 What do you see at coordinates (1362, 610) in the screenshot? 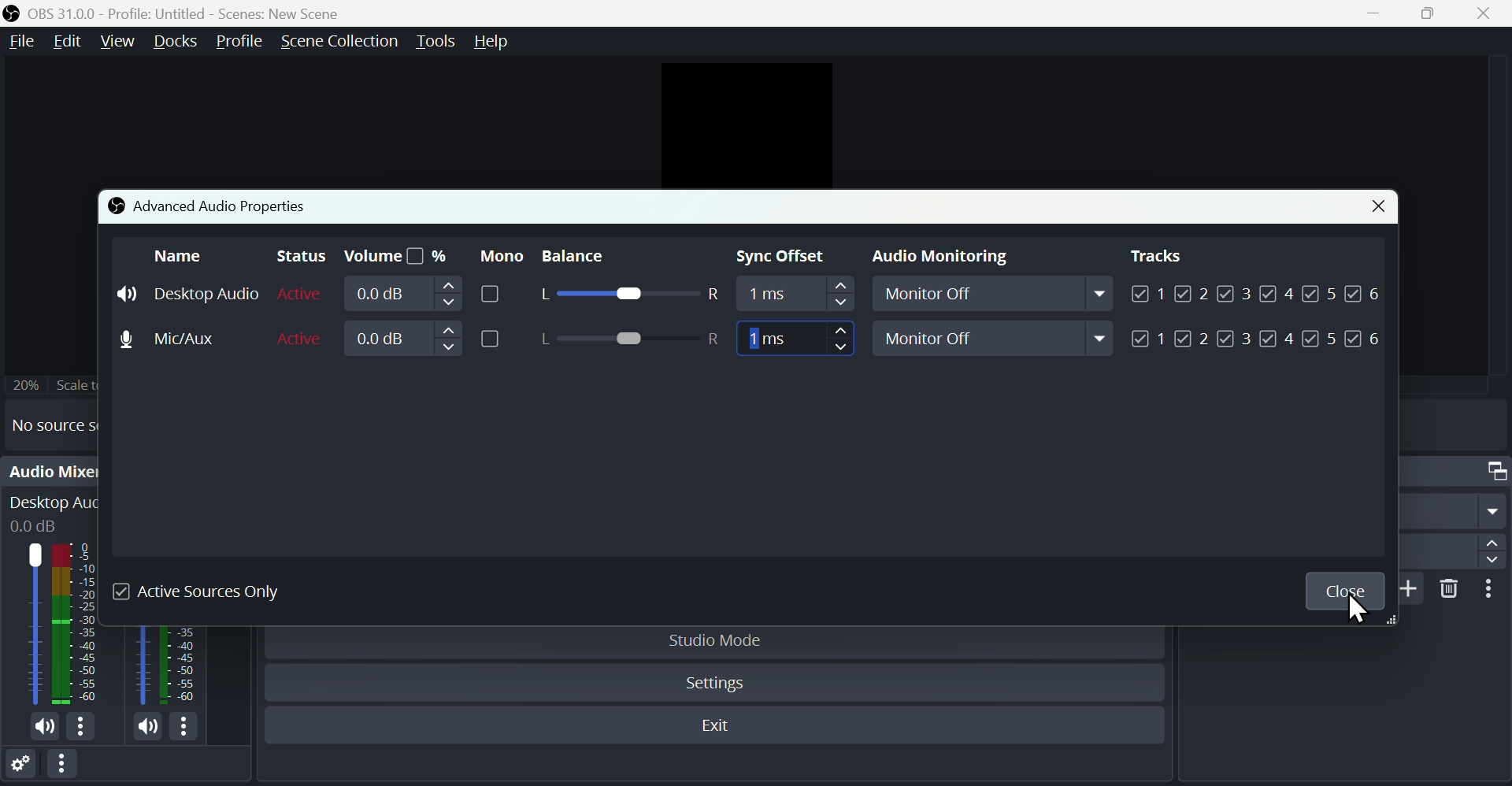
I see `Cursor` at bounding box center [1362, 610].